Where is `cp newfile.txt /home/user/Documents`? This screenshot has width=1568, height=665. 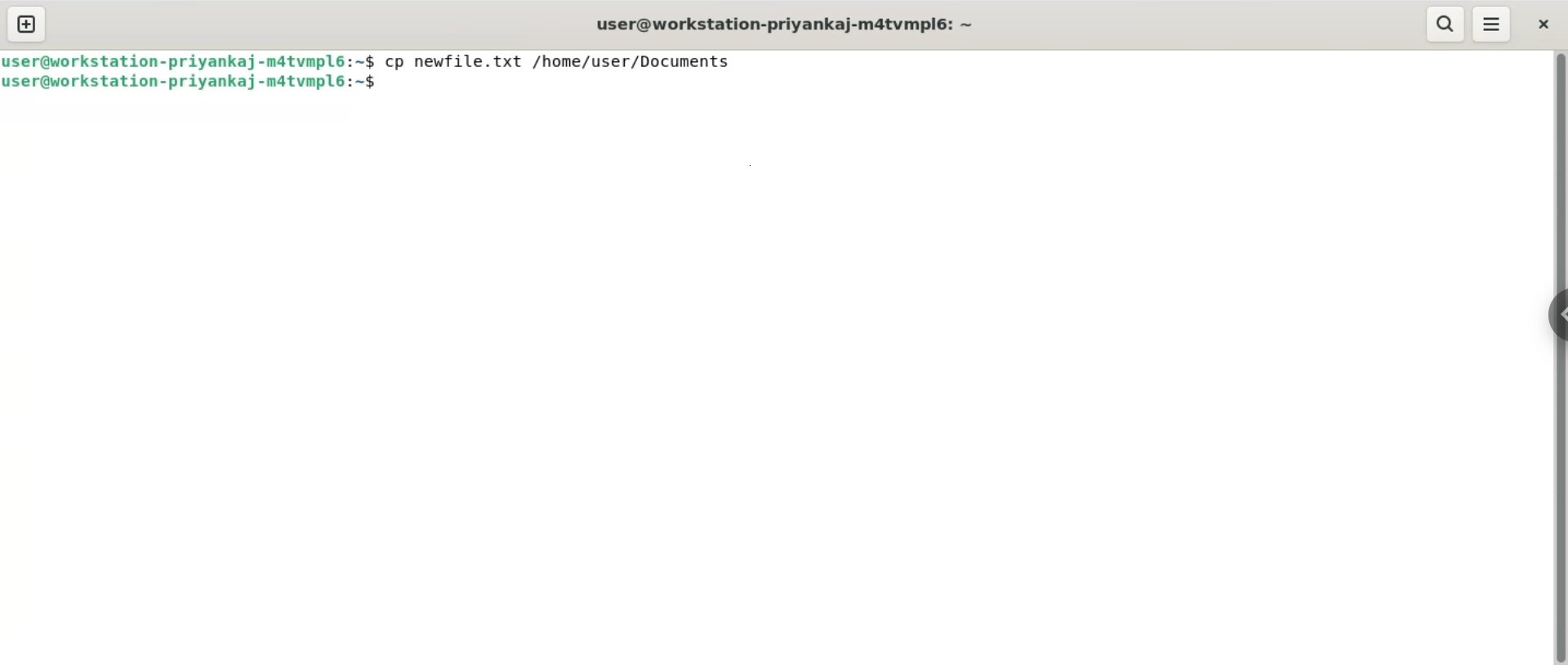
cp newfile.txt /home/user/Documents is located at coordinates (562, 60).